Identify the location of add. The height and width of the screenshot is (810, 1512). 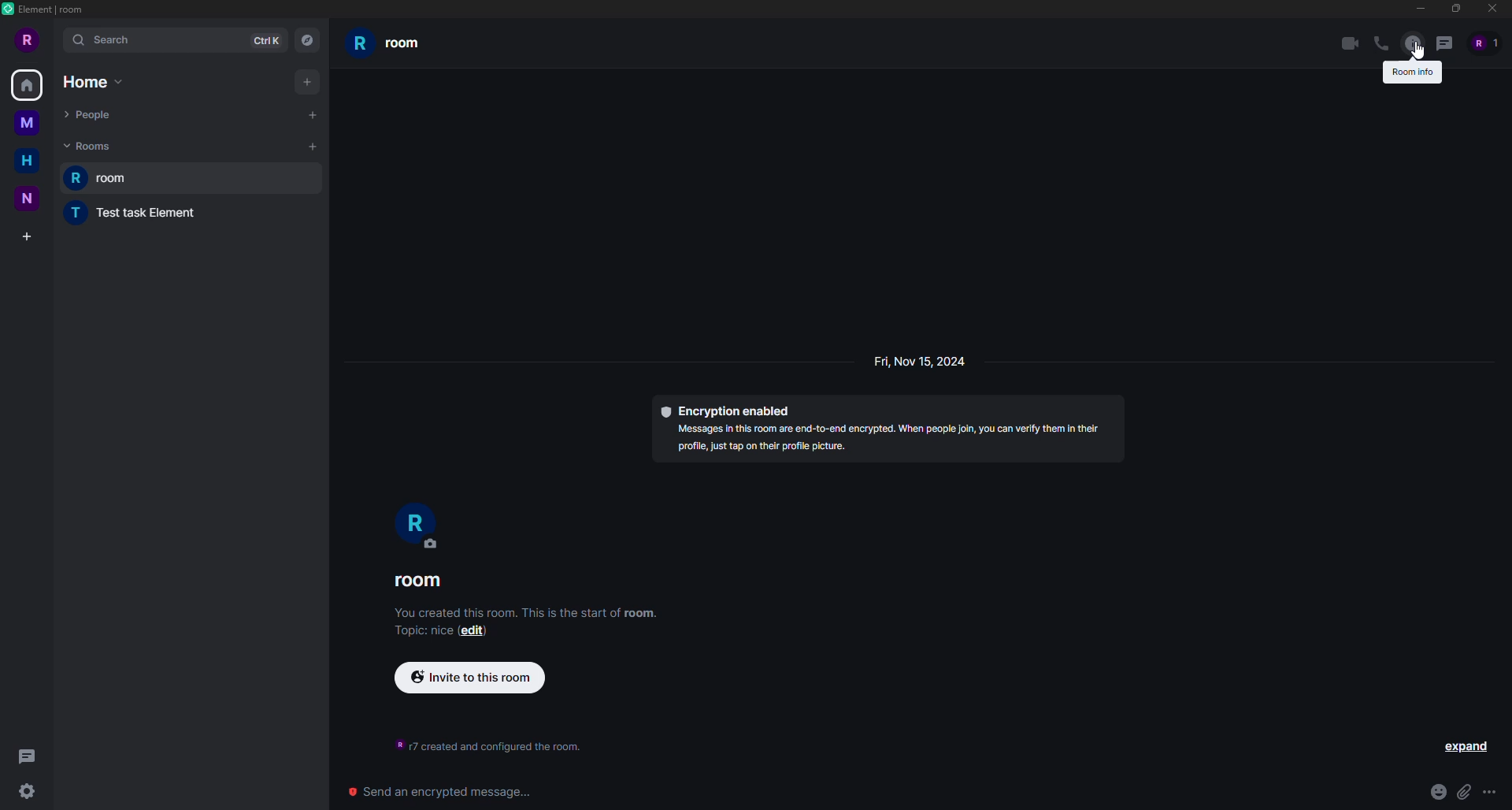
(306, 82).